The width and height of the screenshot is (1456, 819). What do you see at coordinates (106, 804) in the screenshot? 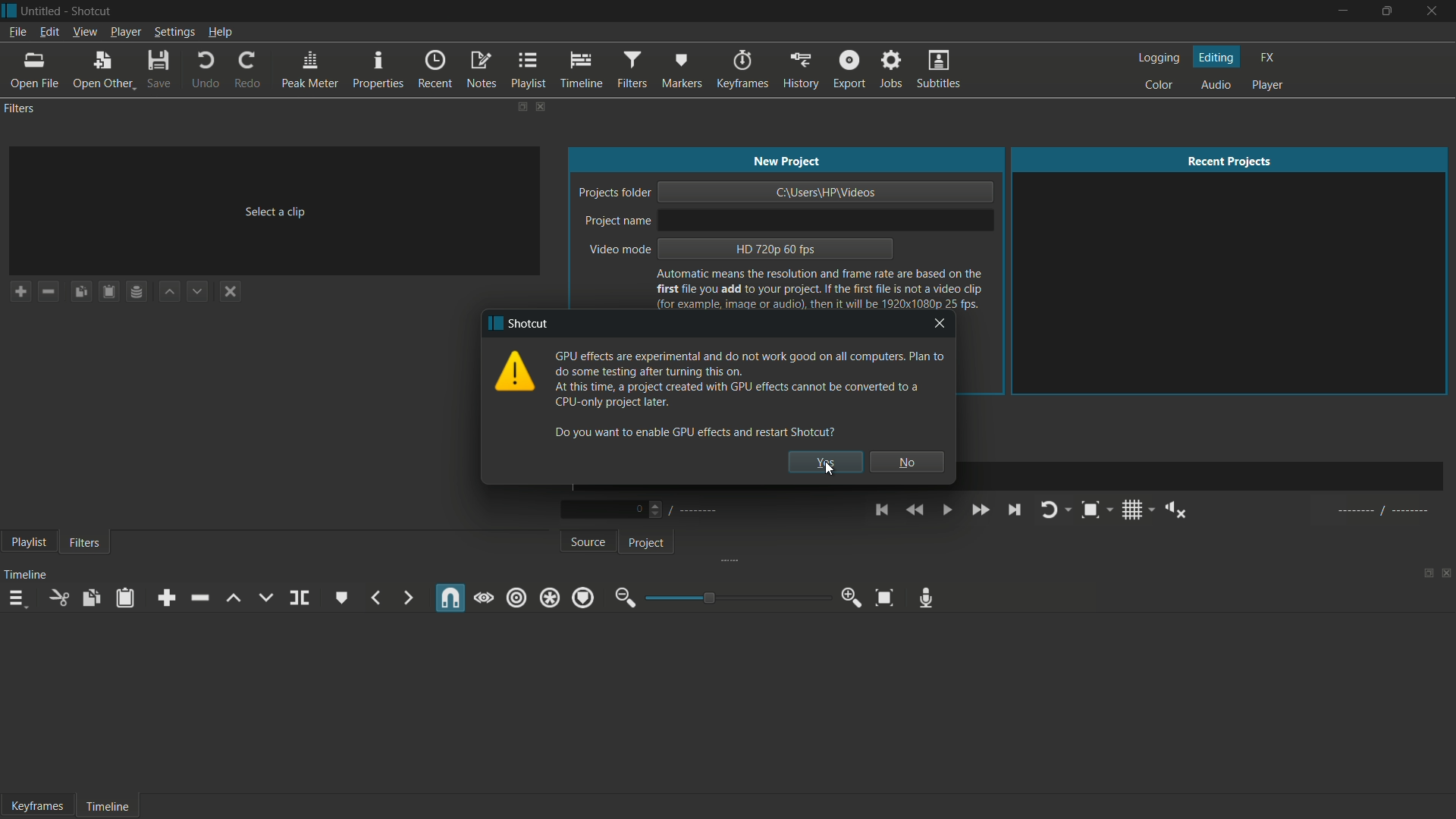
I see `Timeline` at bounding box center [106, 804].